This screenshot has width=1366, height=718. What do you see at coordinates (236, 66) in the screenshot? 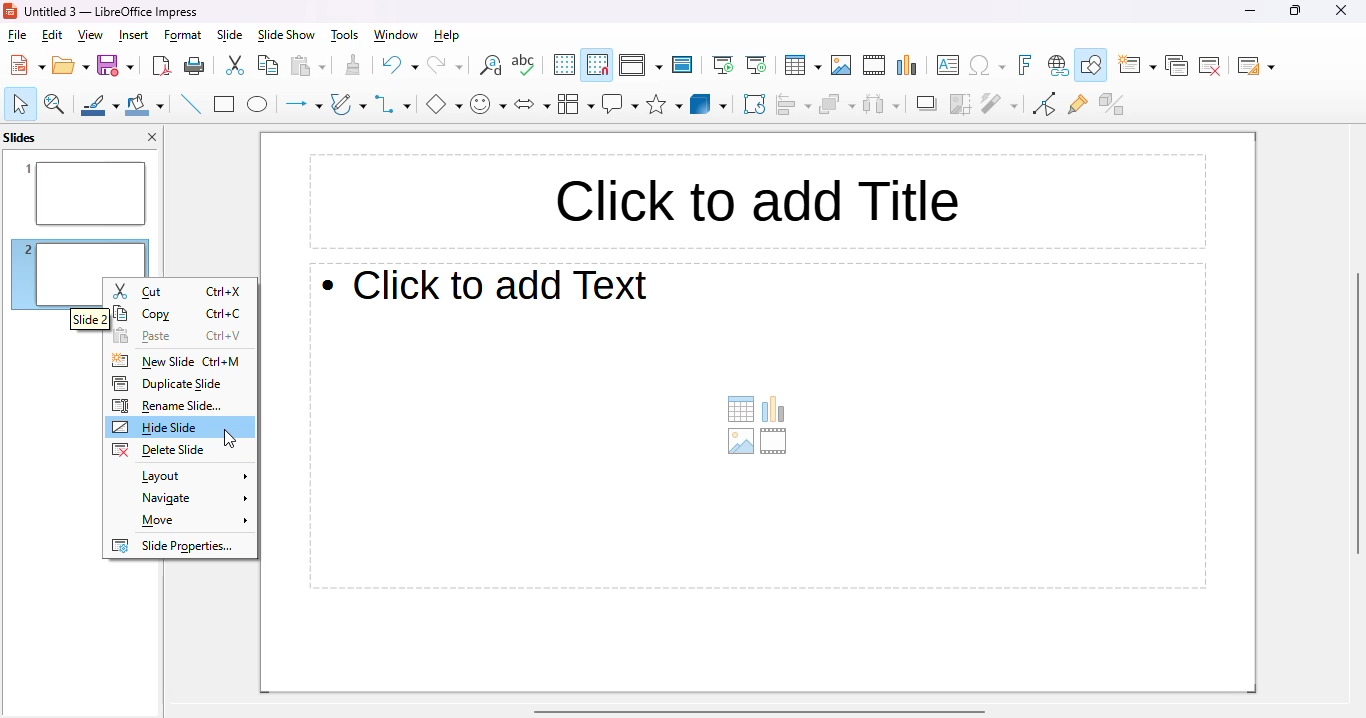
I see `cut` at bounding box center [236, 66].